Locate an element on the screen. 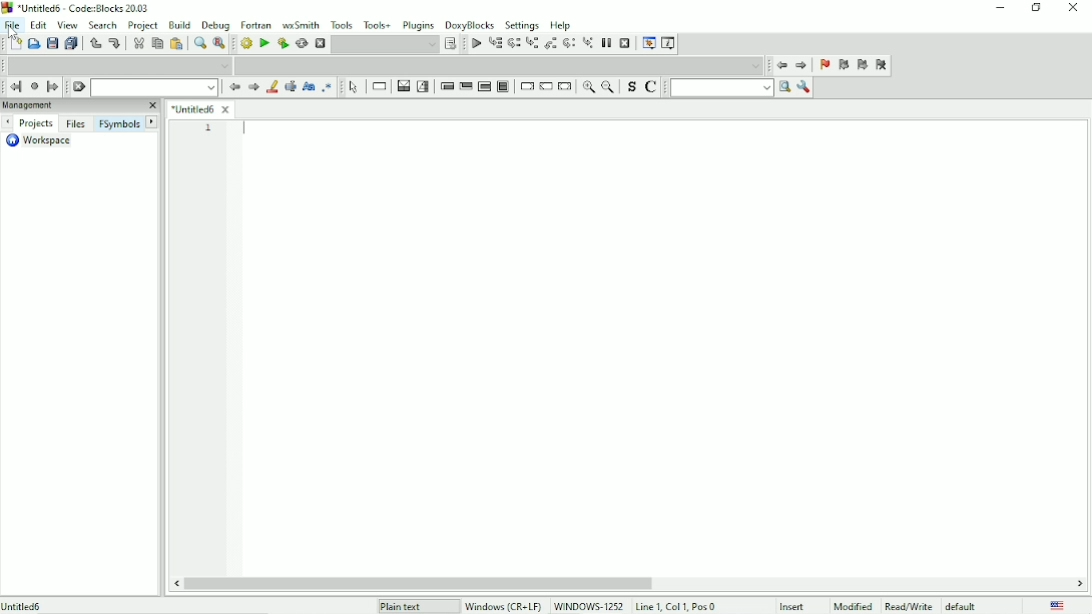 This screenshot has width=1092, height=614. Toggle comments is located at coordinates (652, 87).